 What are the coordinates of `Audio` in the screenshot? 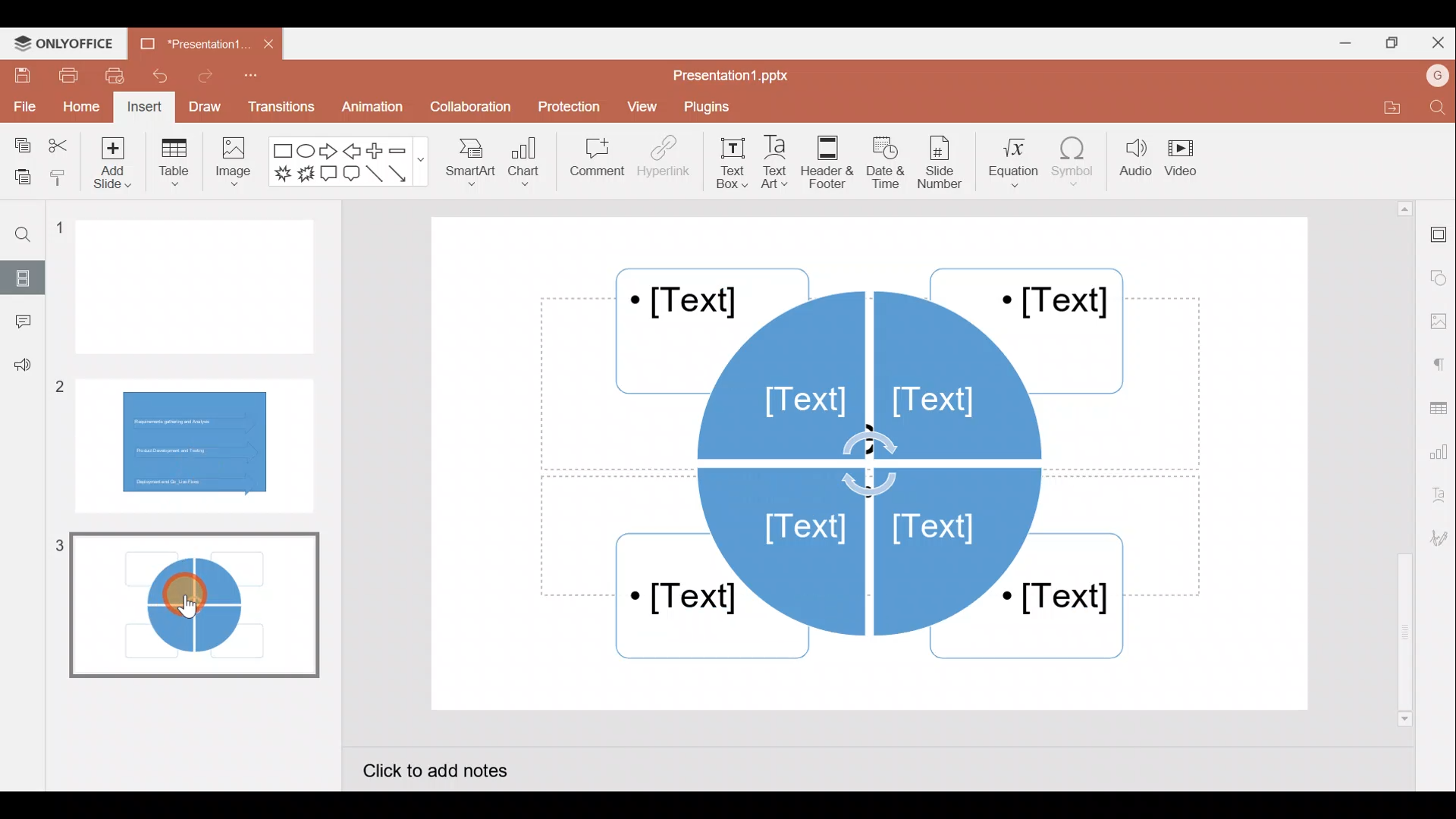 It's located at (1132, 163).